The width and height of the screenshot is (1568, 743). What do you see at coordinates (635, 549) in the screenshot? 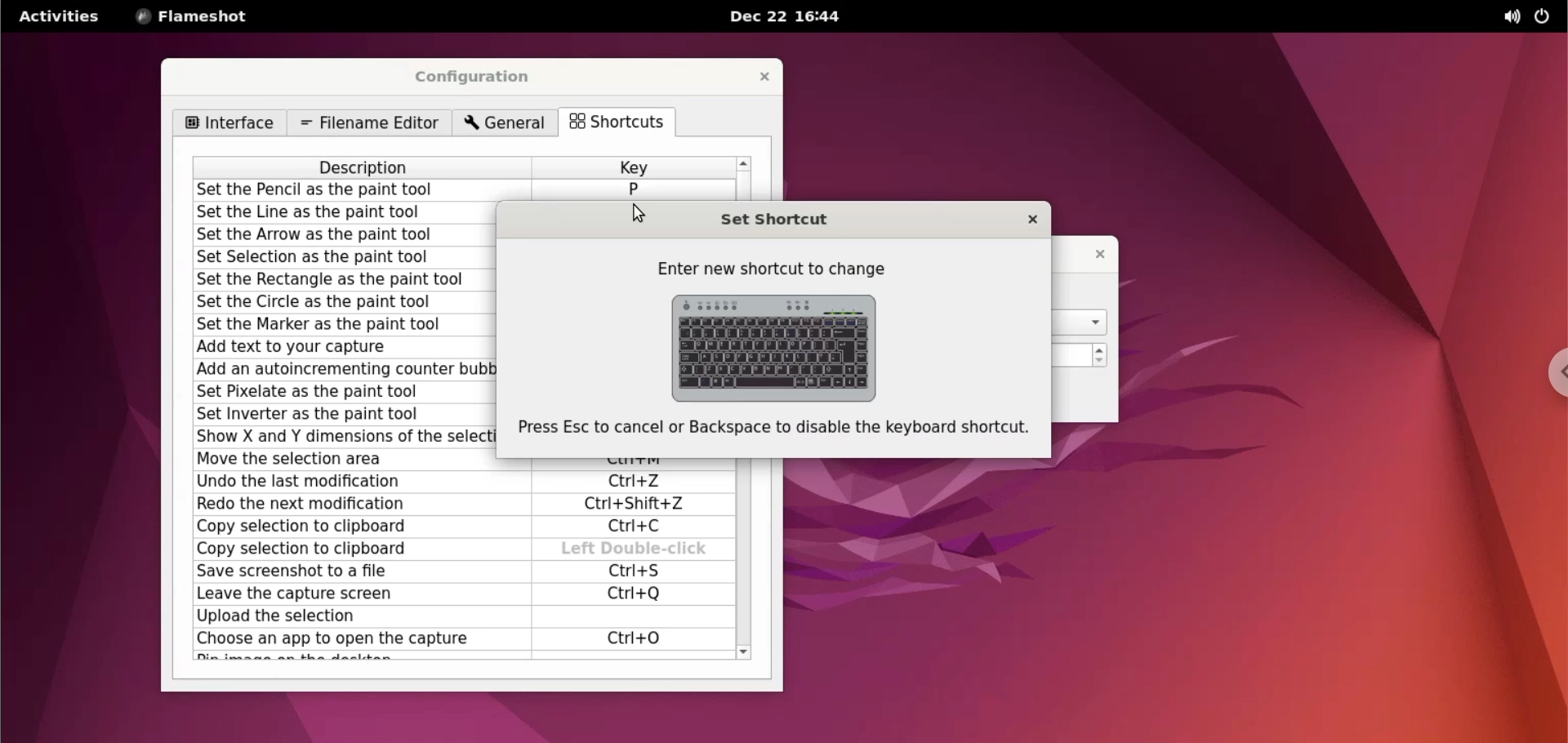
I see `Left Double-click` at bounding box center [635, 549].